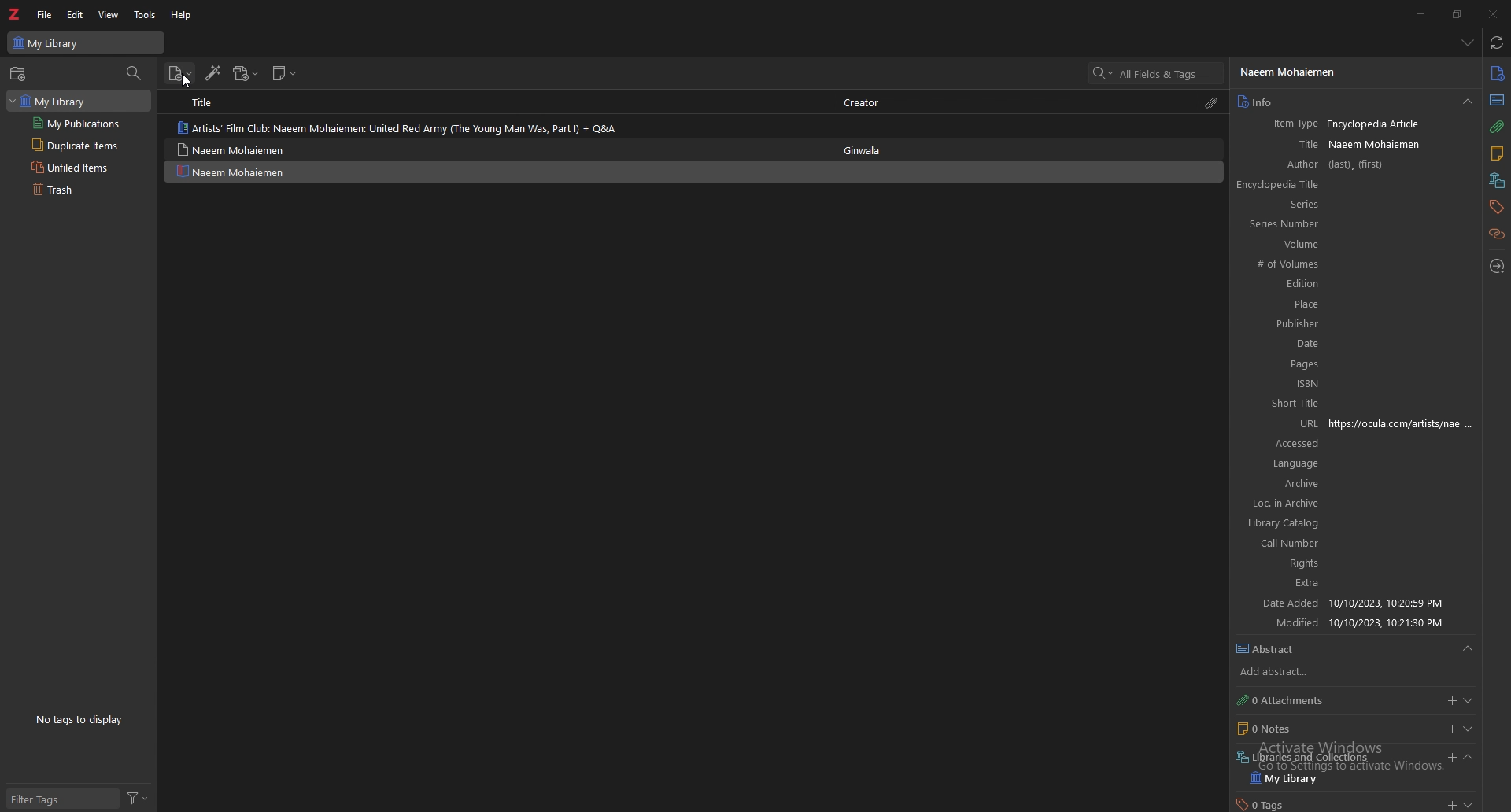 This screenshot has width=1511, height=812. I want to click on locate, so click(1498, 266).